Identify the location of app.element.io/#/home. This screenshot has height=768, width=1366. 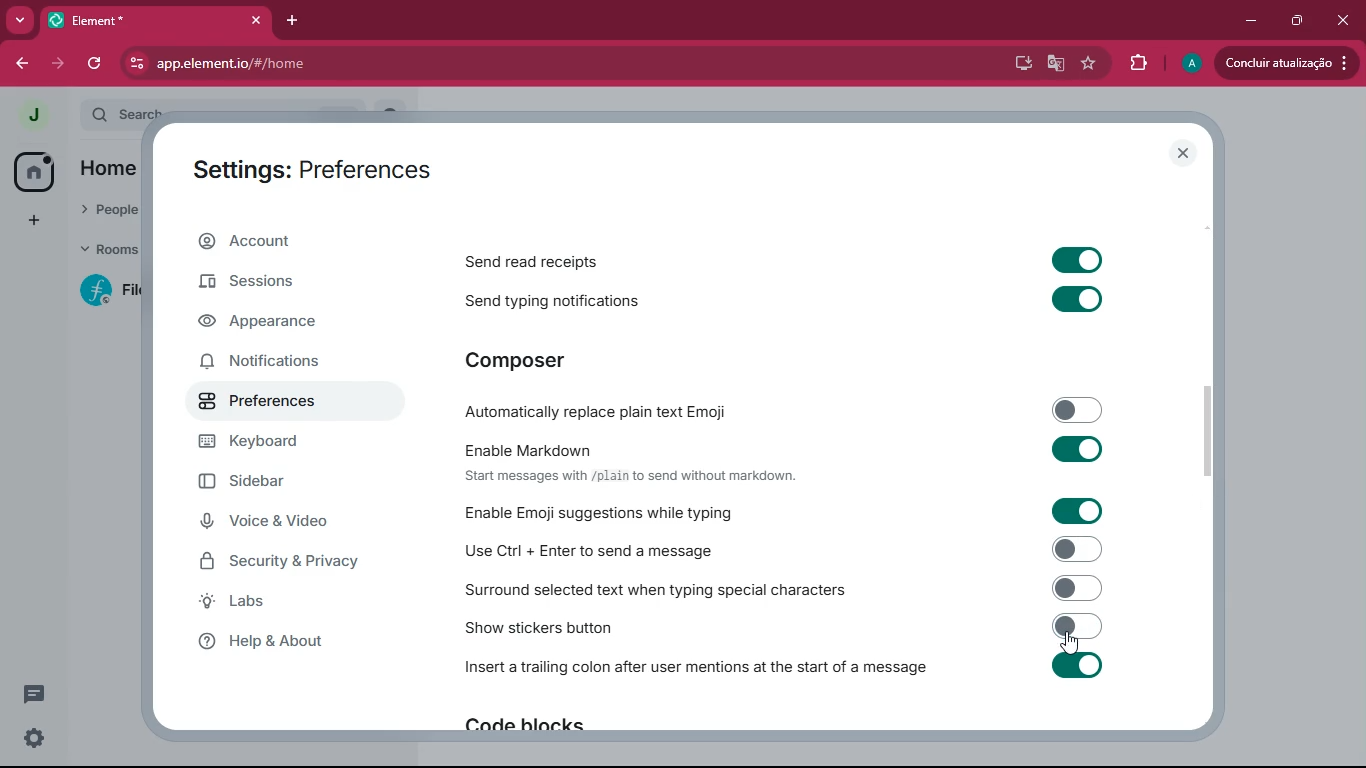
(365, 63).